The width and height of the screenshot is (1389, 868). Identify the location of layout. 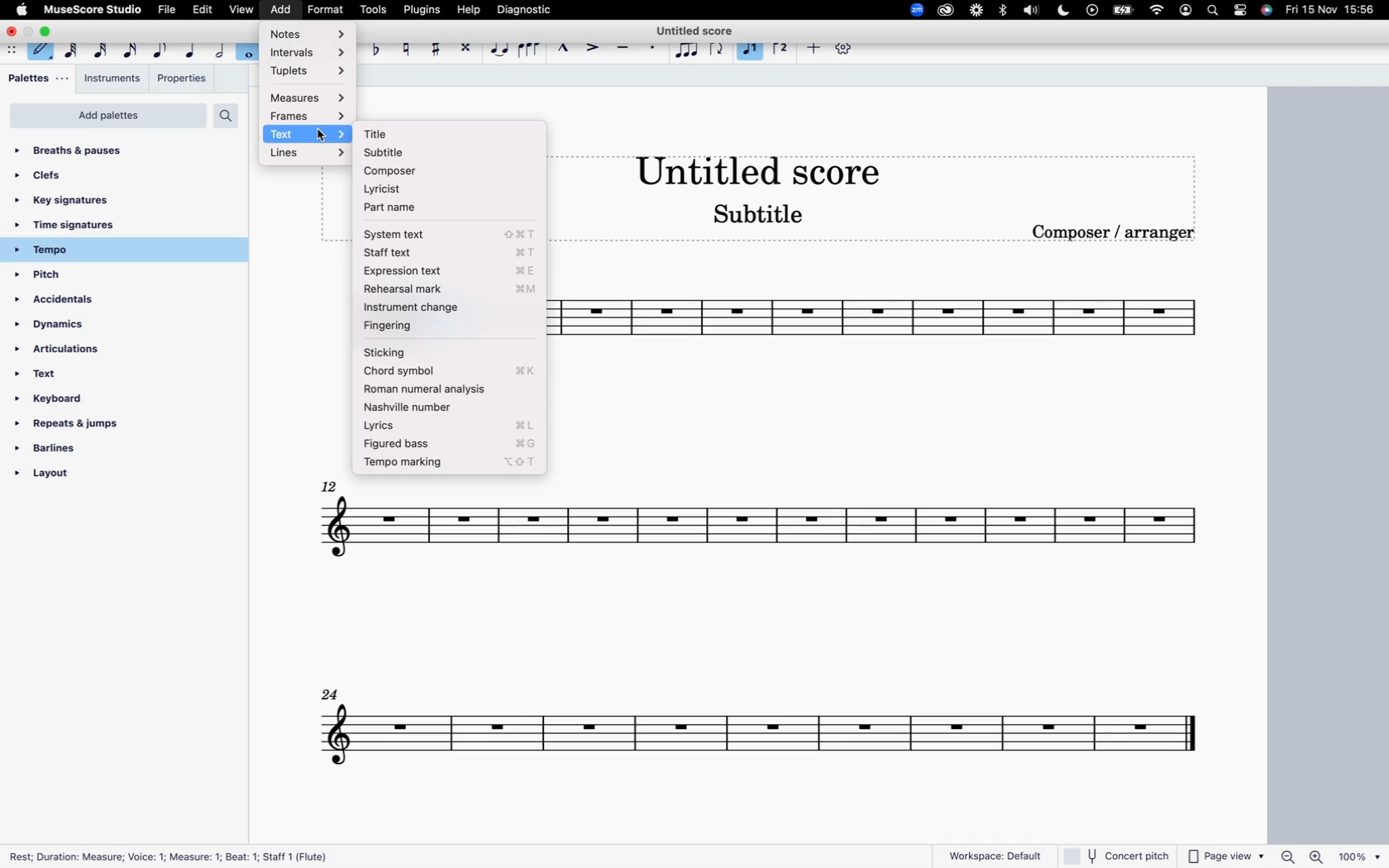
(93, 477).